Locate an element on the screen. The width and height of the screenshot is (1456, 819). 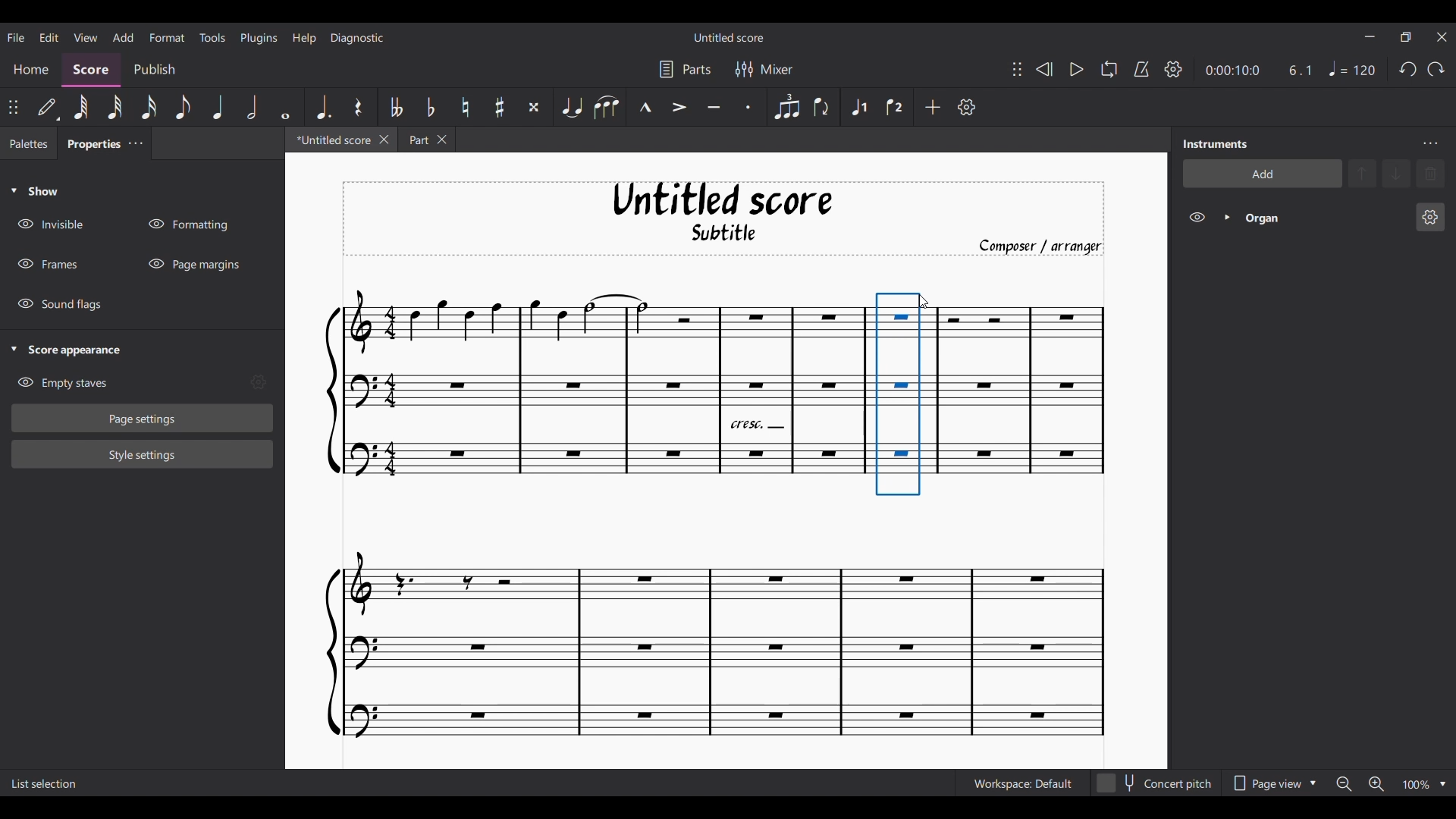
Edit menu is located at coordinates (49, 36).